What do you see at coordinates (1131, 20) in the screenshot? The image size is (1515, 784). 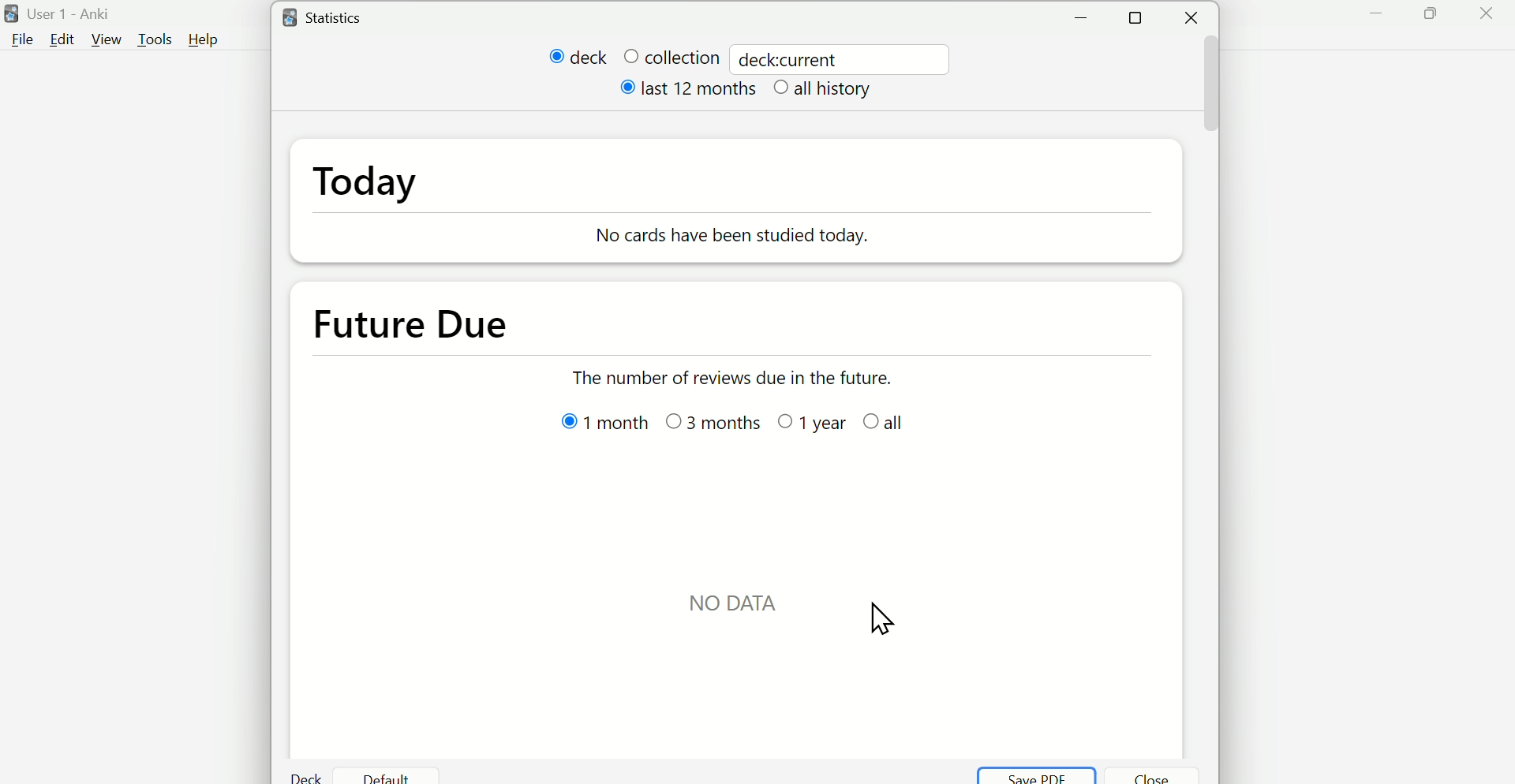 I see `Maximise` at bounding box center [1131, 20].